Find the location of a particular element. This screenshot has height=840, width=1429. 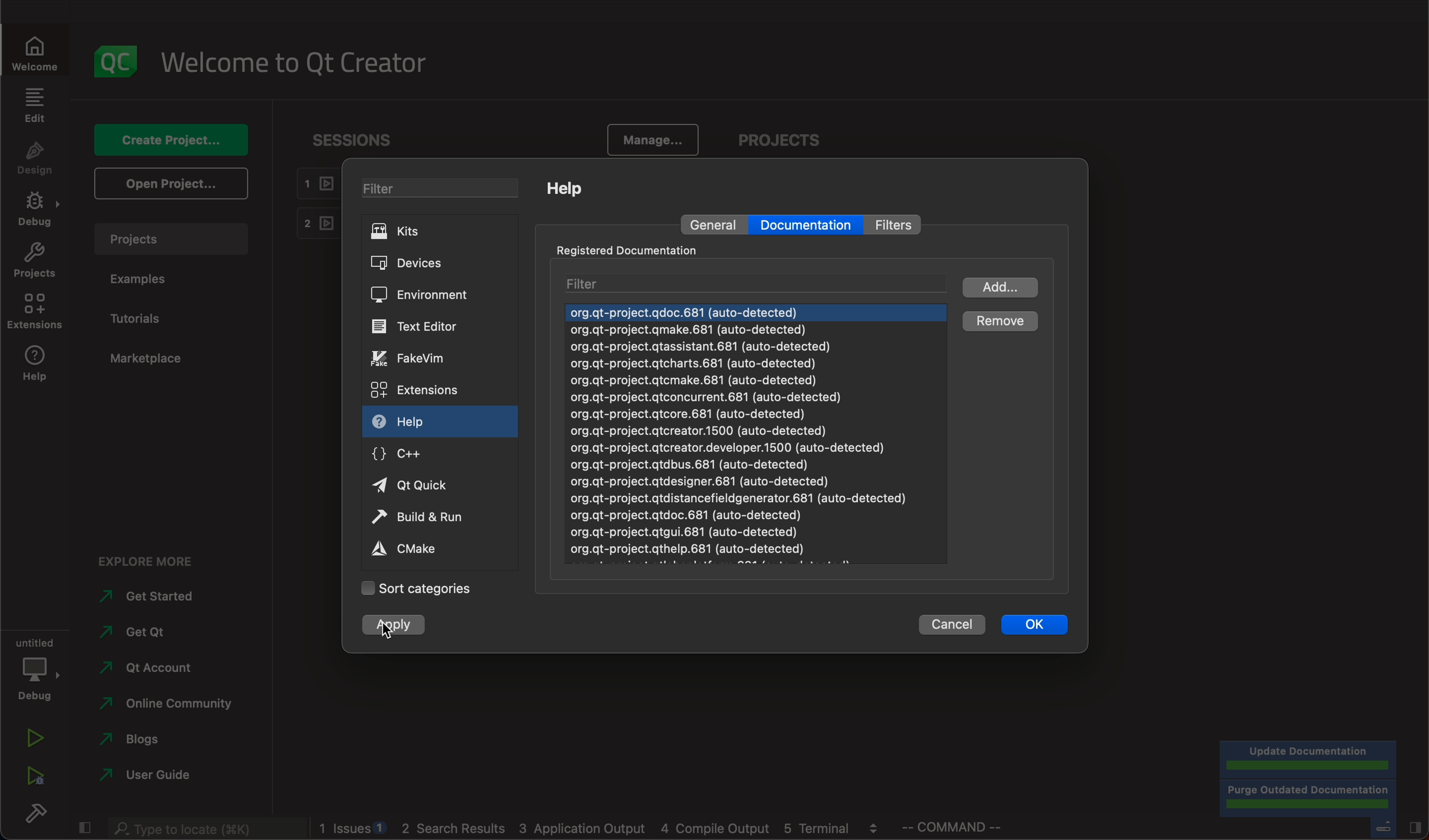

filter is located at coordinates (443, 188).